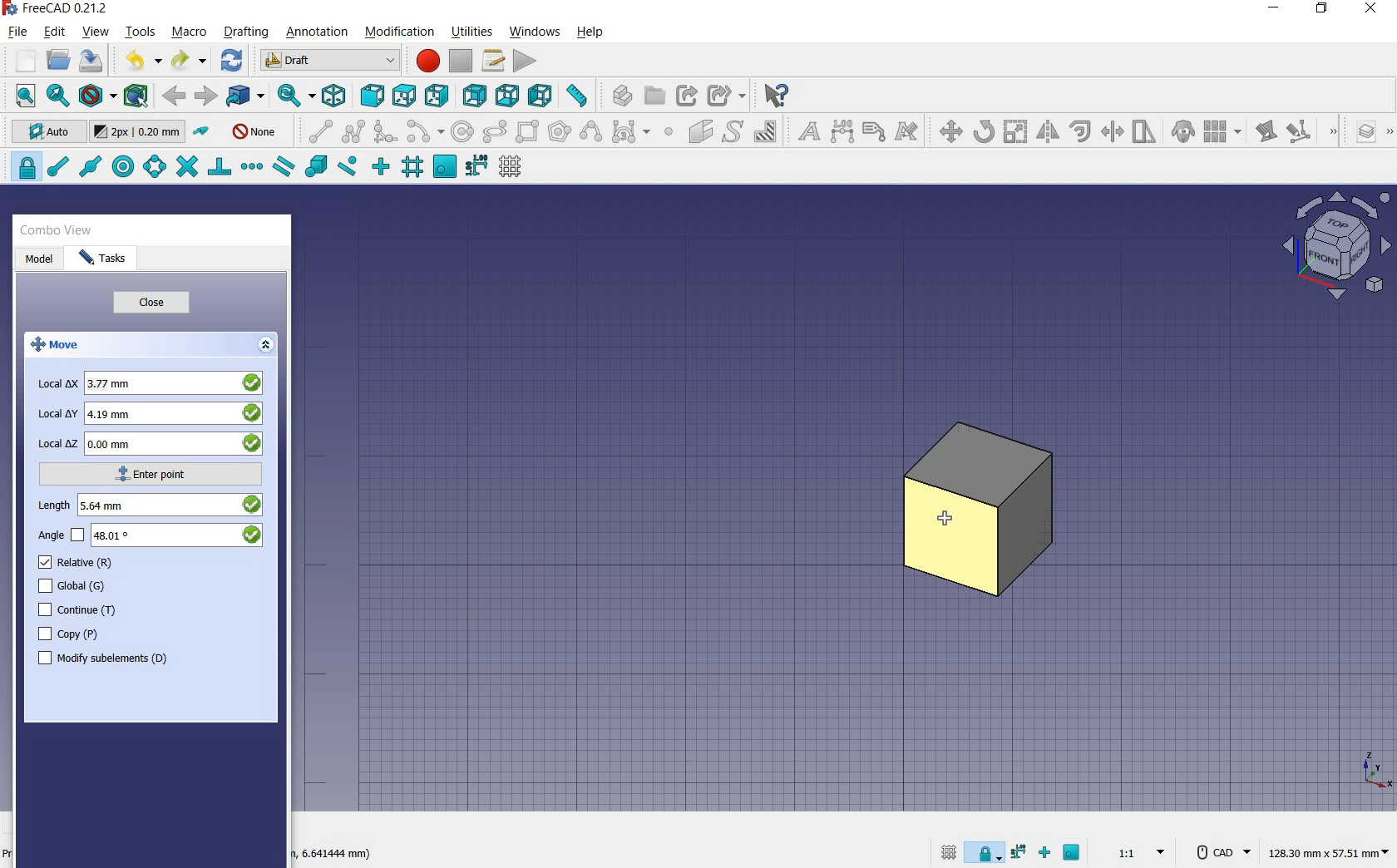  I want to click on change default size for new objects, so click(137, 132).